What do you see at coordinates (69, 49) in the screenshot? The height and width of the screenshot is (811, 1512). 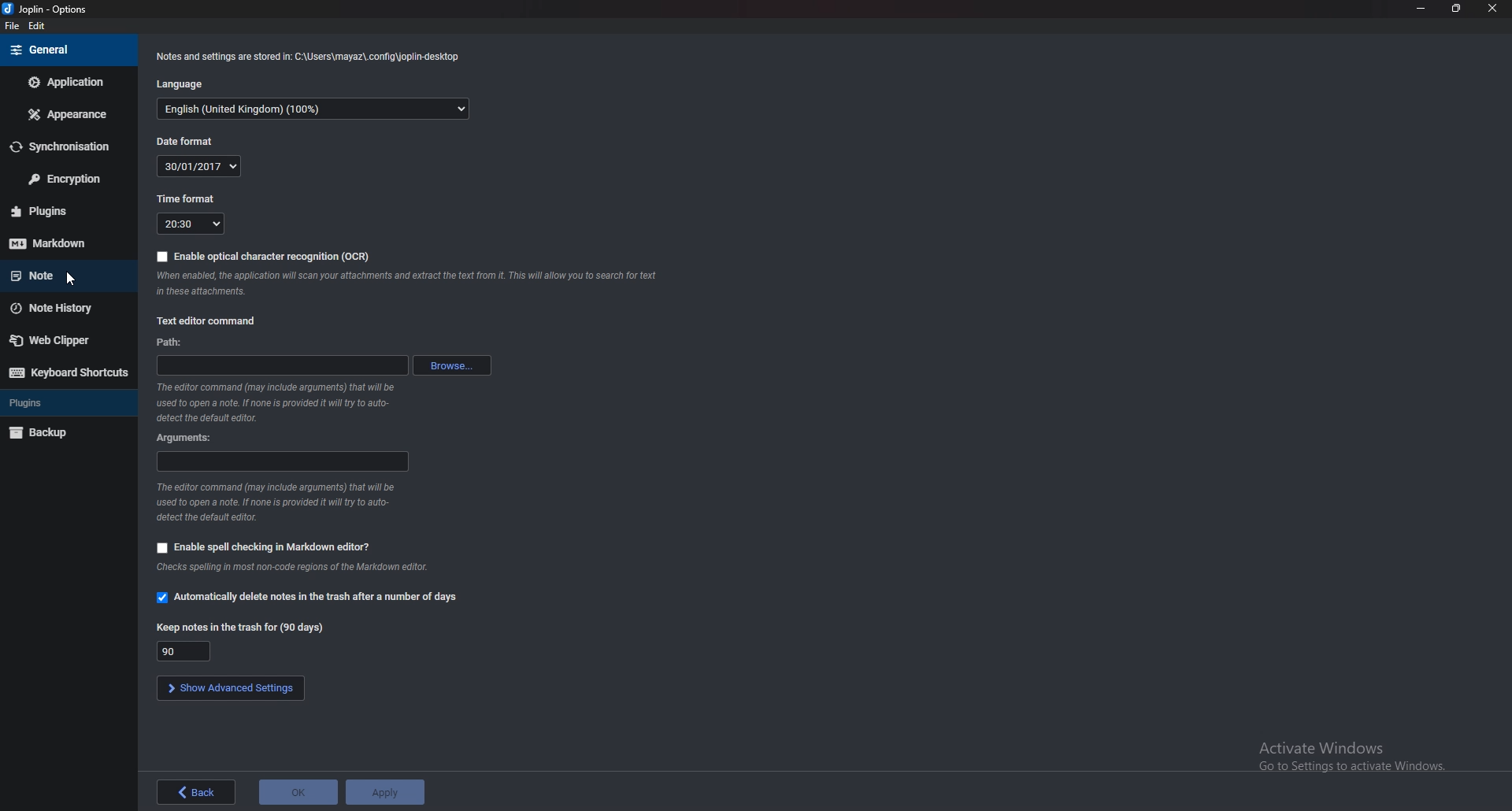 I see `General` at bounding box center [69, 49].